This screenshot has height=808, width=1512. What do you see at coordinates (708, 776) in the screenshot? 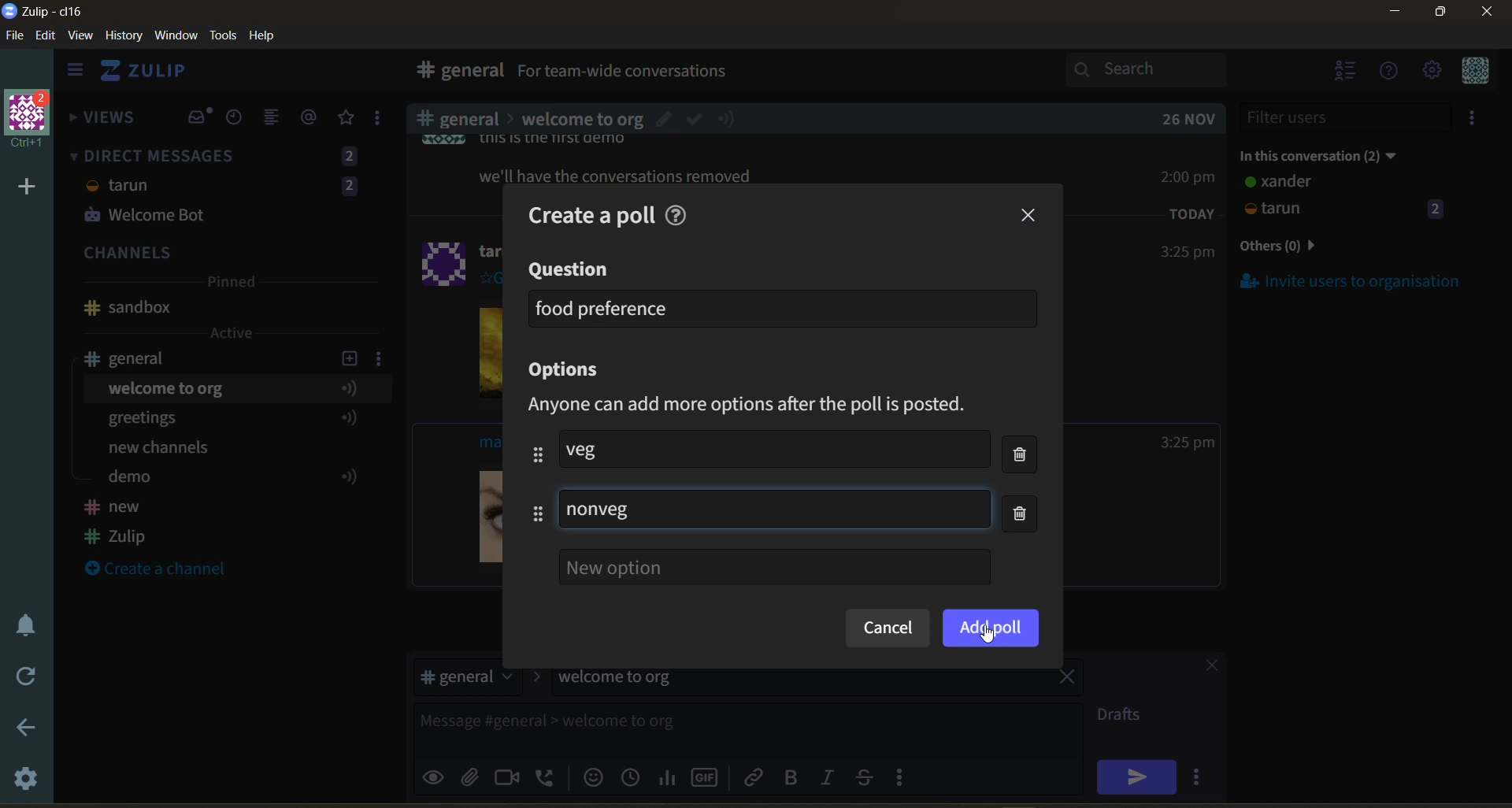
I see `add gif` at bounding box center [708, 776].